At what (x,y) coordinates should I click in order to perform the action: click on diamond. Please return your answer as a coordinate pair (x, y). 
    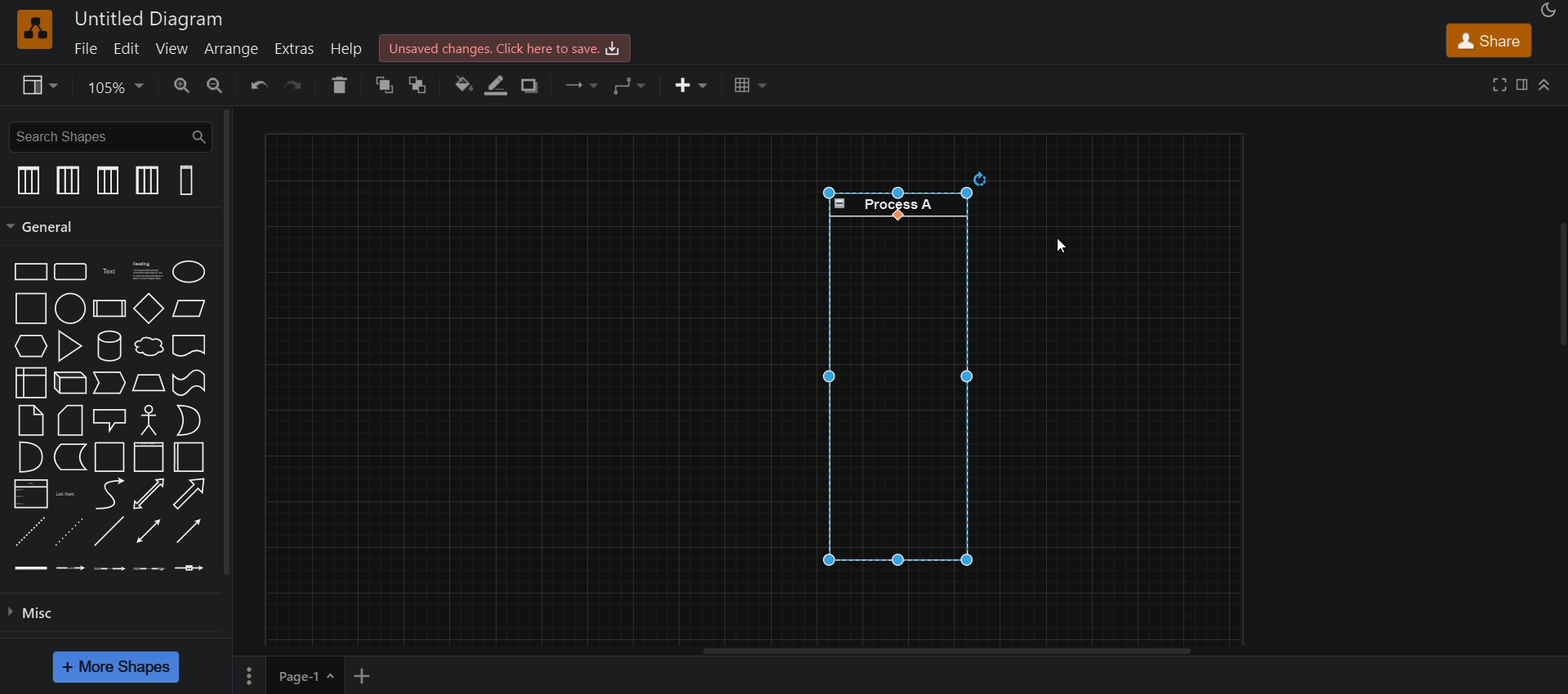
    Looking at the image, I should click on (149, 309).